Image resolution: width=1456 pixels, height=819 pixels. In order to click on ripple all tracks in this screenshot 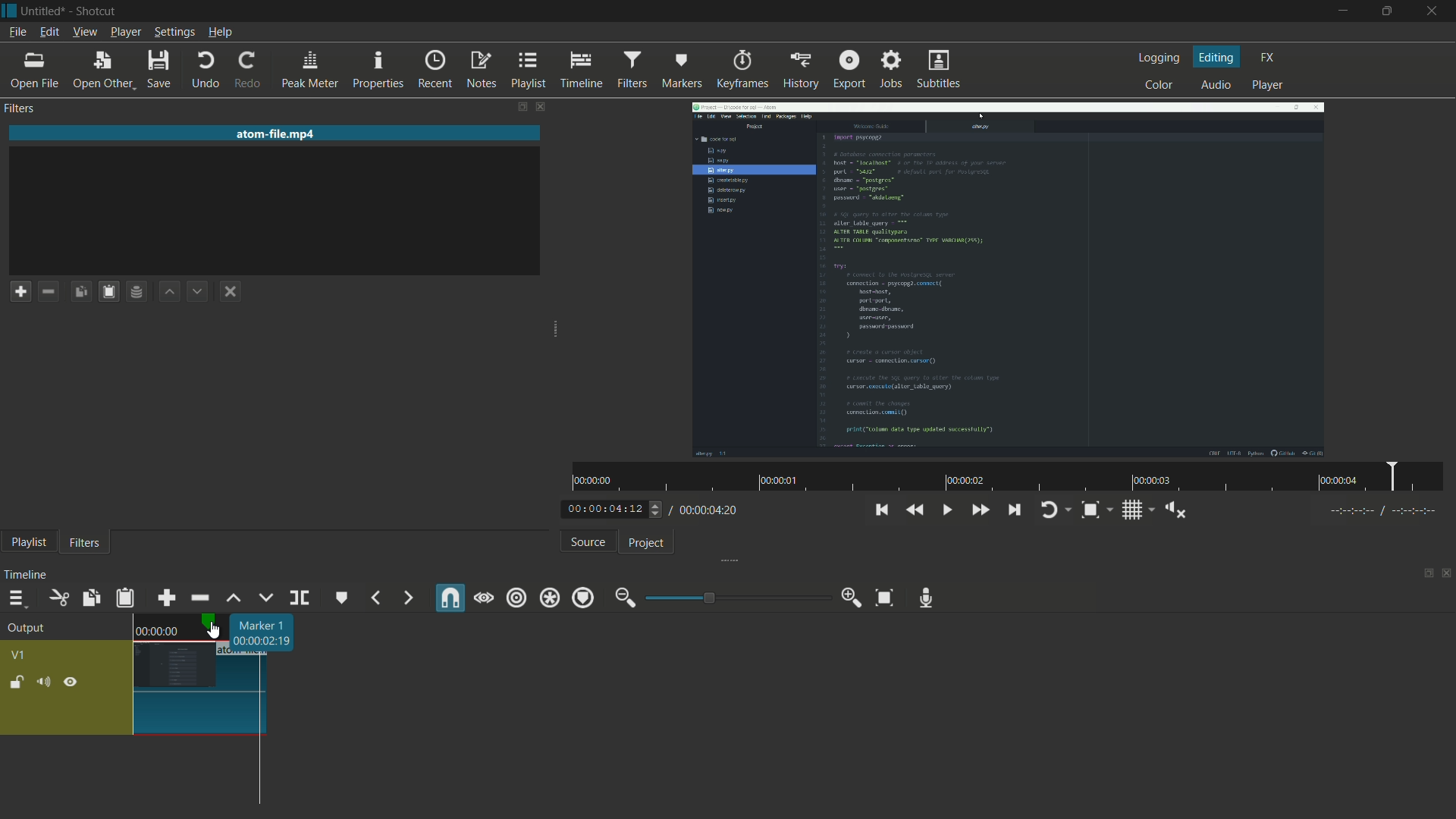, I will do `click(549, 598)`.